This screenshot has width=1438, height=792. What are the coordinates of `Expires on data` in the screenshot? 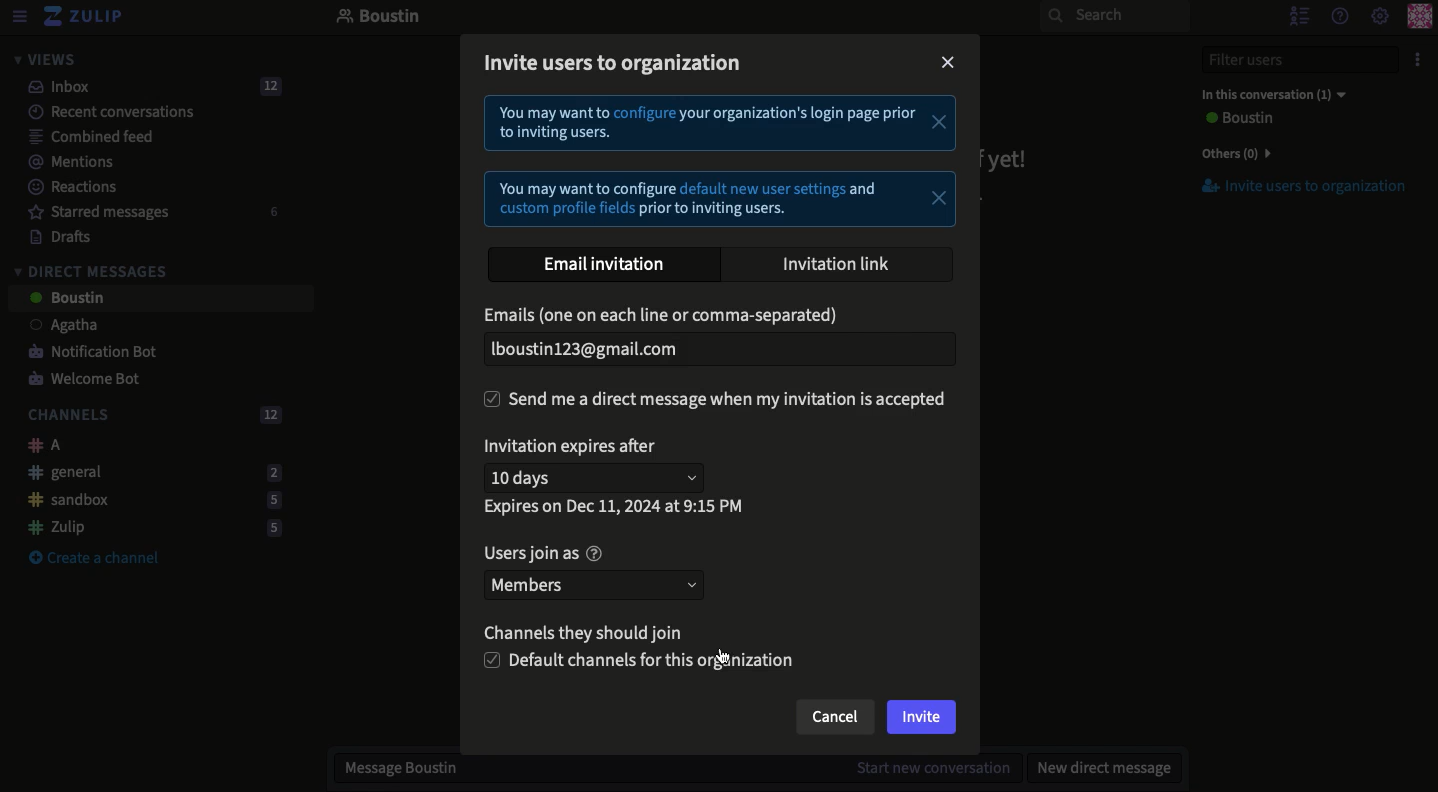 It's located at (616, 508).